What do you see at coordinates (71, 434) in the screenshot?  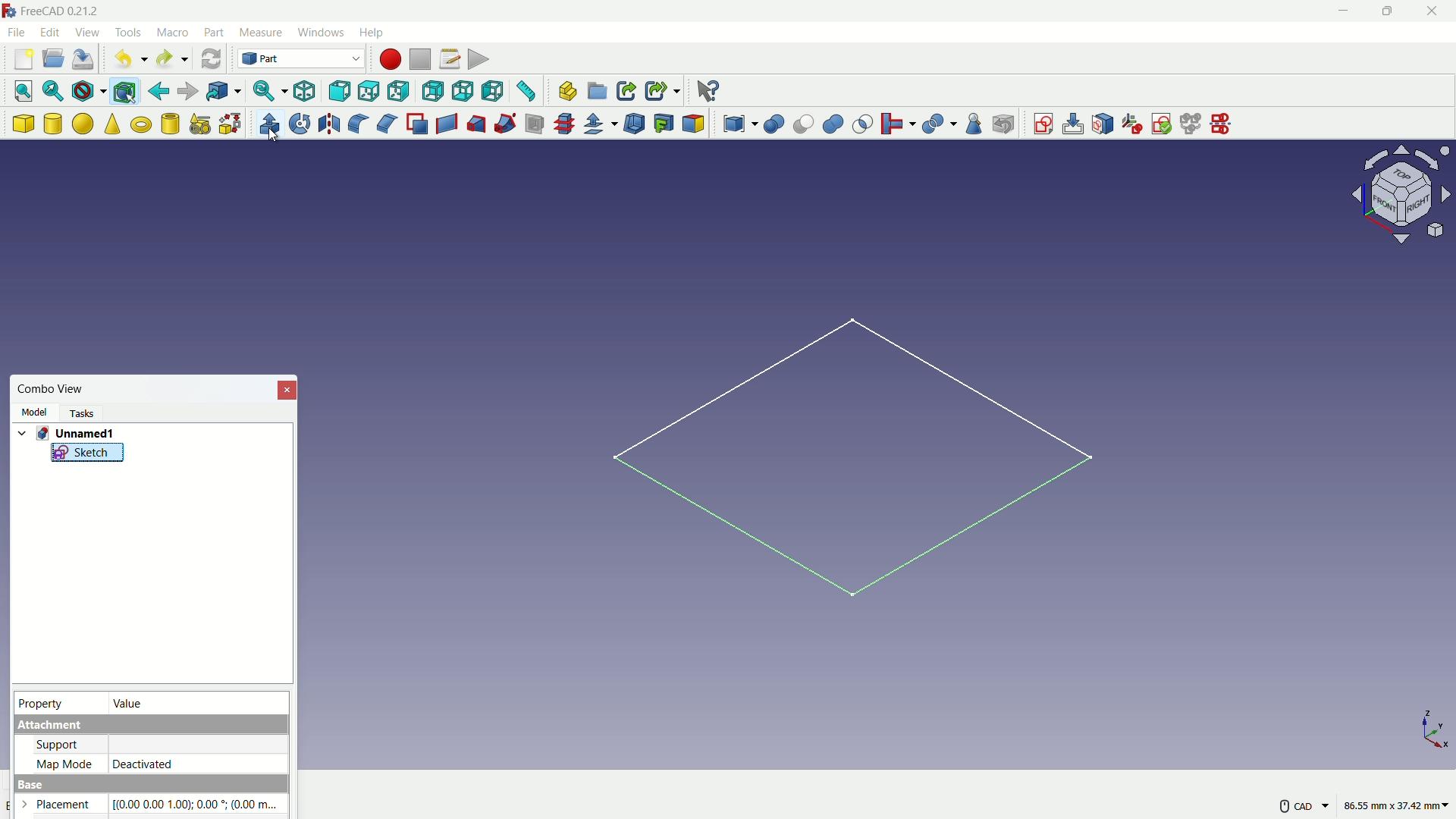 I see `Unnamed` at bounding box center [71, 434].